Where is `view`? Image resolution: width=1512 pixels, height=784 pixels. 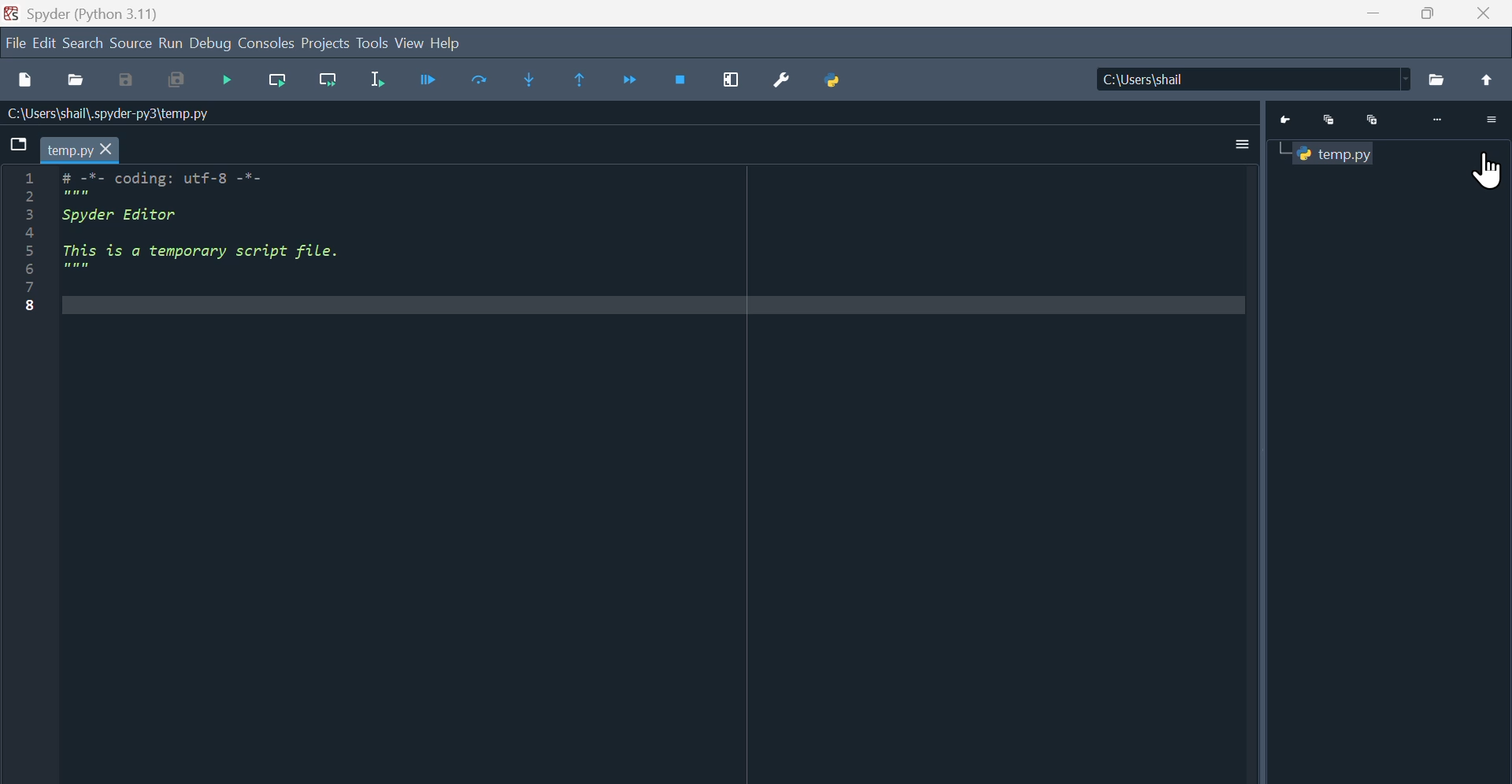 view is located at coordinates (409, 43).